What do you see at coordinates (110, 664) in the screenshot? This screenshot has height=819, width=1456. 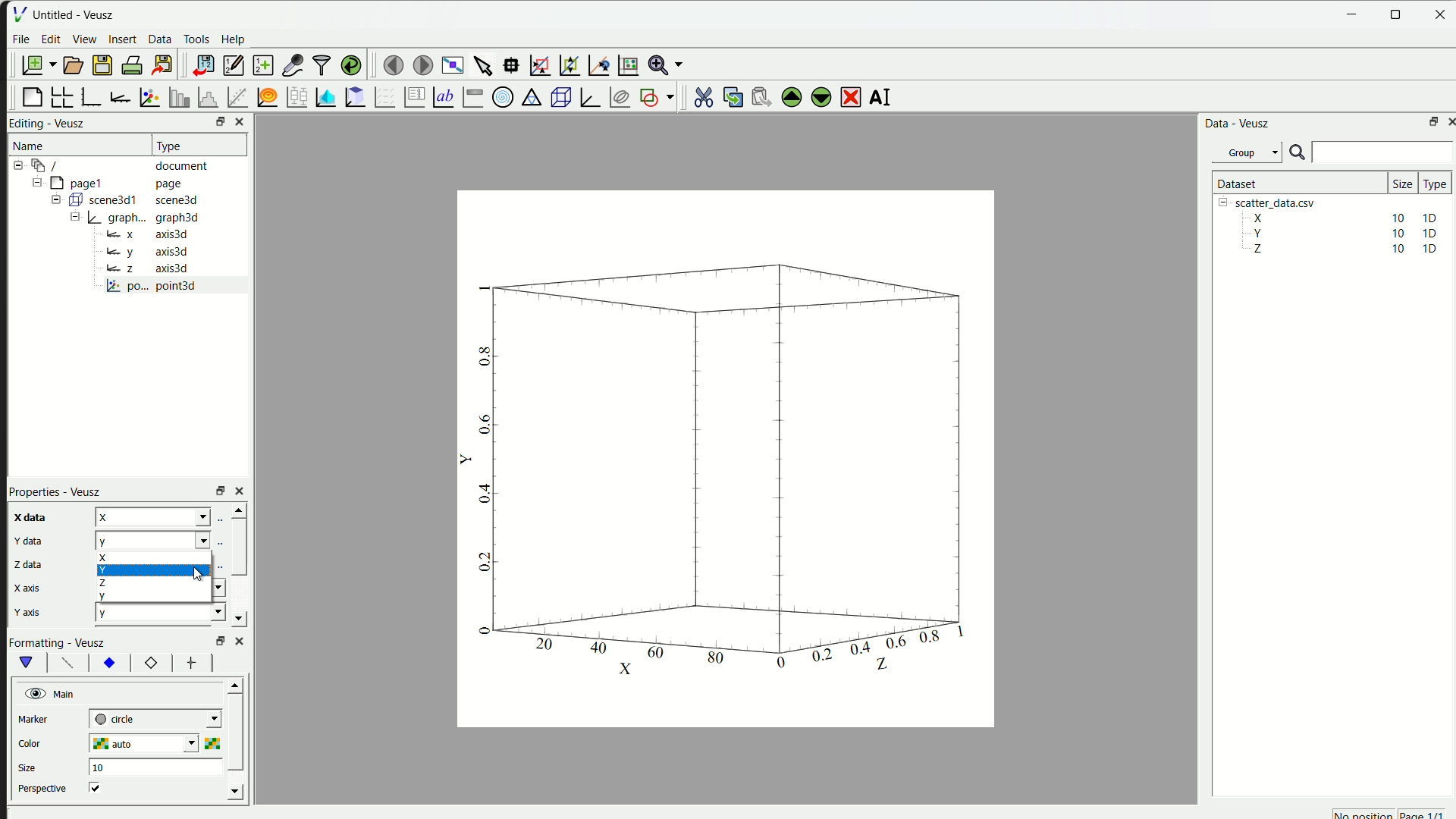 I see `xy` at bounding box center [110, 664].